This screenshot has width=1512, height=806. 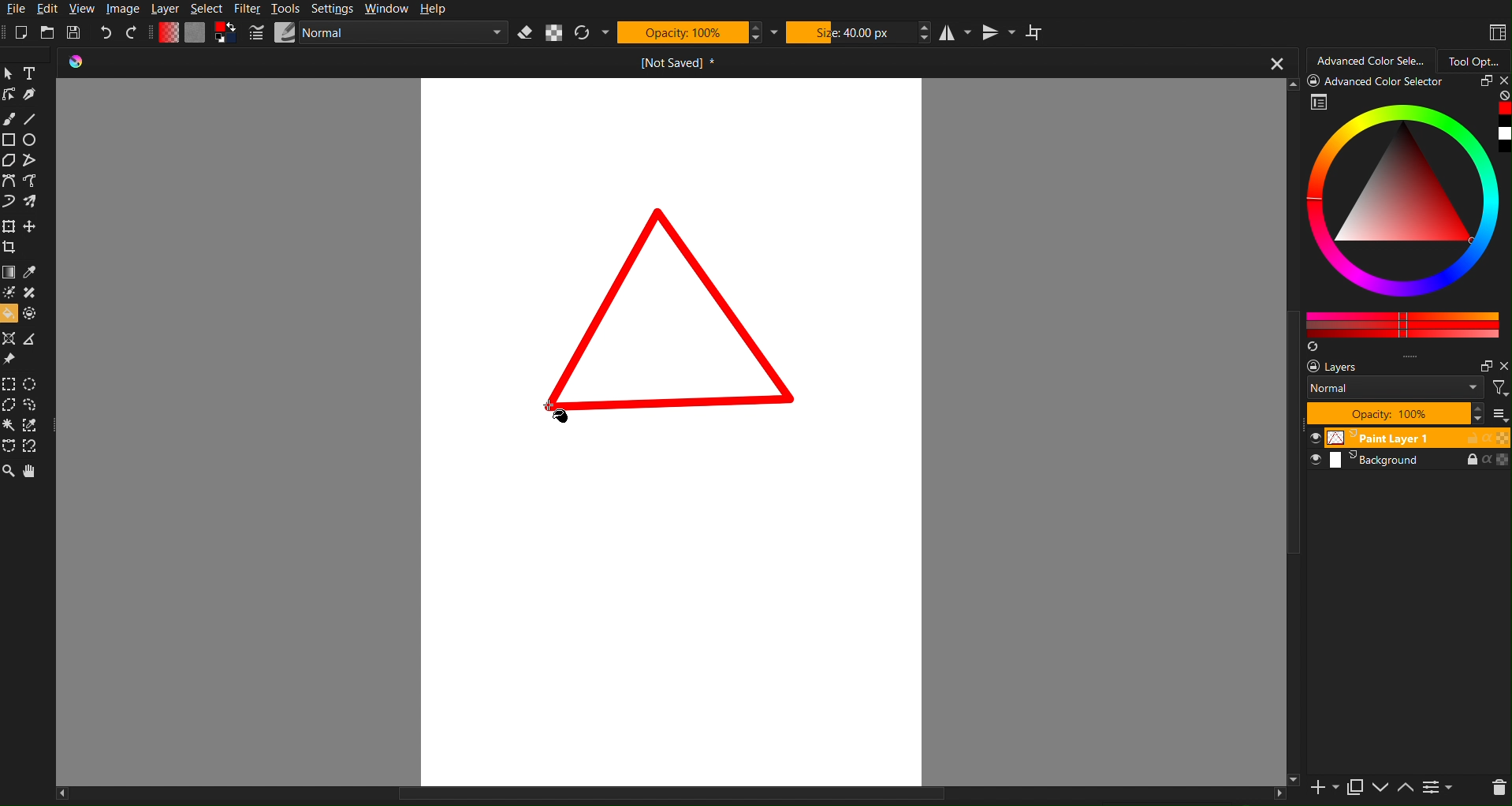 I want to click on Wrap Around, so click(x=1041, y=33).